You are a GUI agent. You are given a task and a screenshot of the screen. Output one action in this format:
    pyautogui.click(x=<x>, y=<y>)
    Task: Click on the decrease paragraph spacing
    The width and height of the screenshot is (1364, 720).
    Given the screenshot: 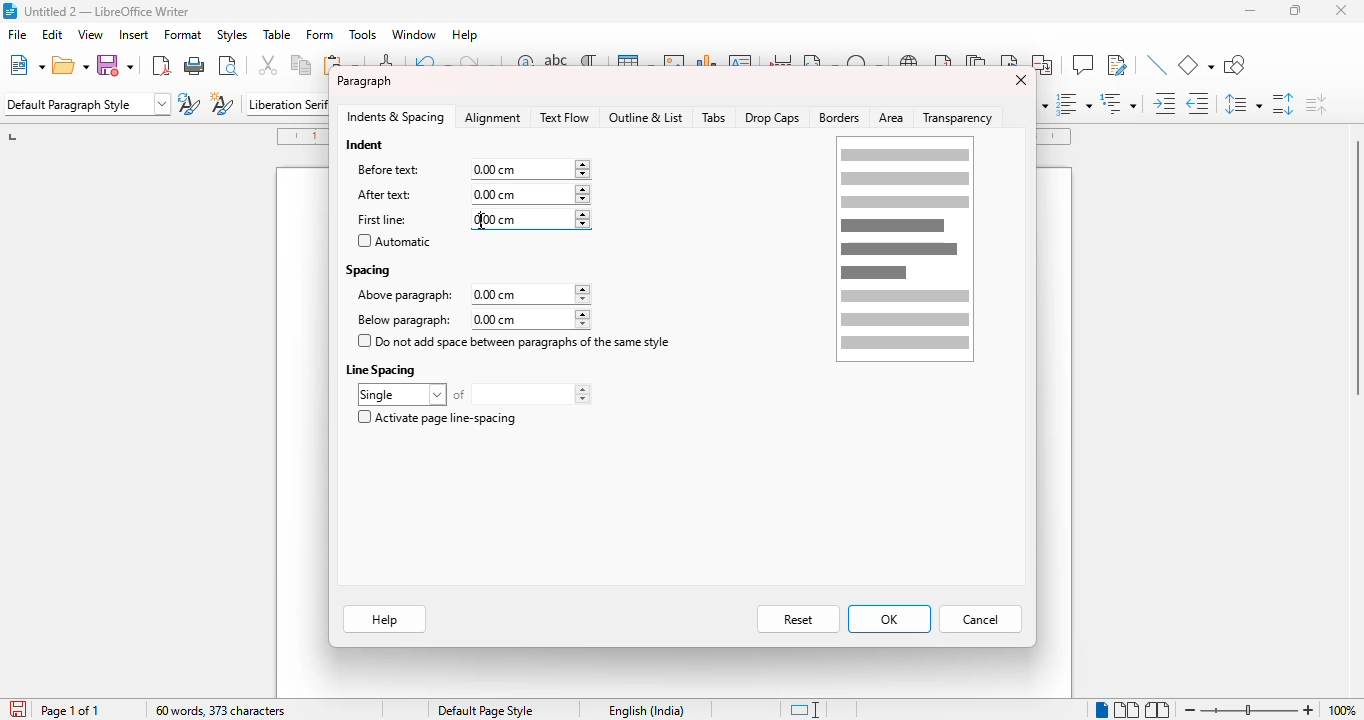 What is the action you would take?
    pyautogui.click(x=1315, y=103)
    